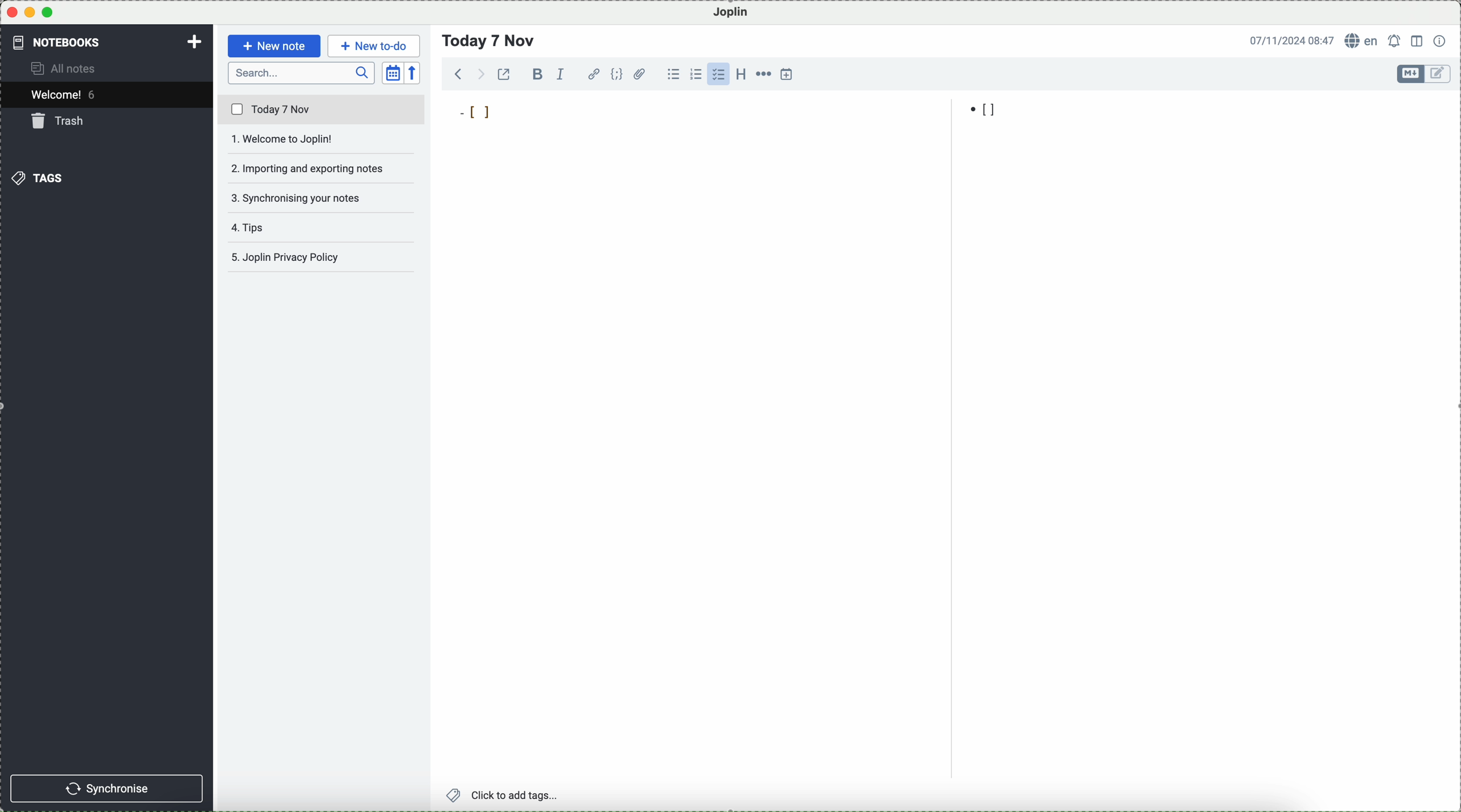 The image size is (1461, 812). What do you see at coordinates (374, 46) in the screenshot?
I see `new to-do button` at bounding box center [374, 46].